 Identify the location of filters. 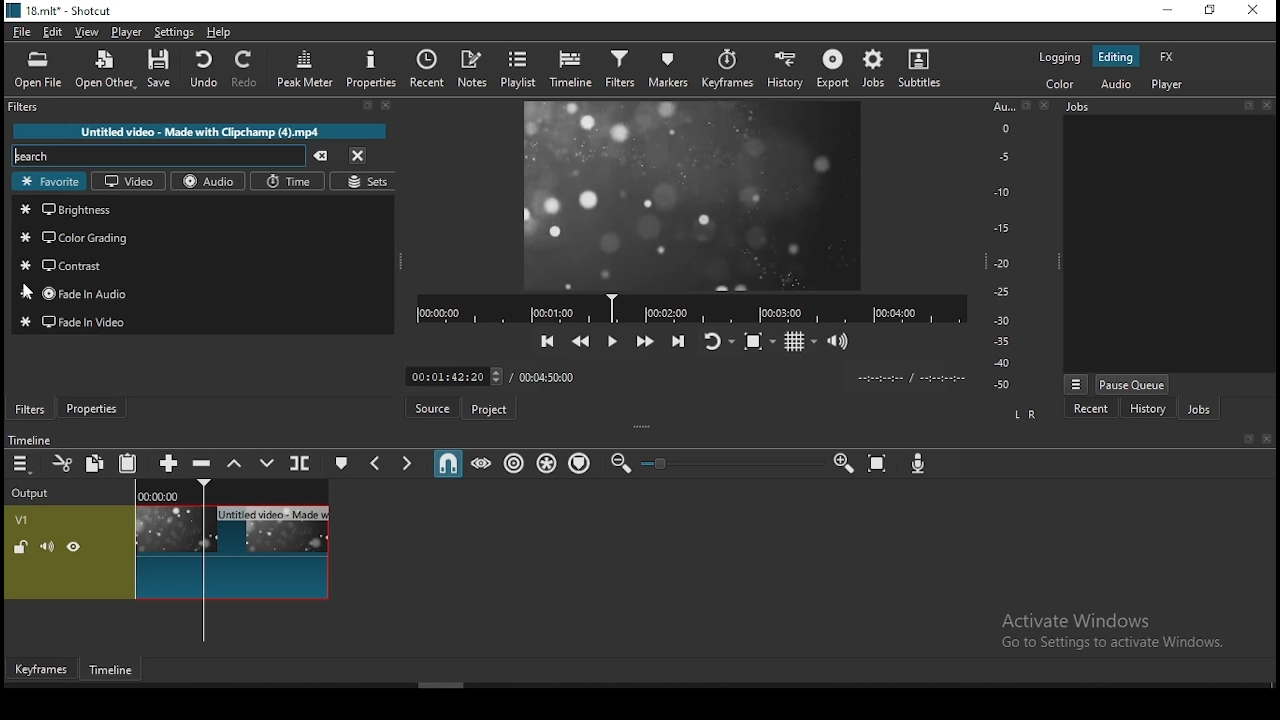
(26, 107).